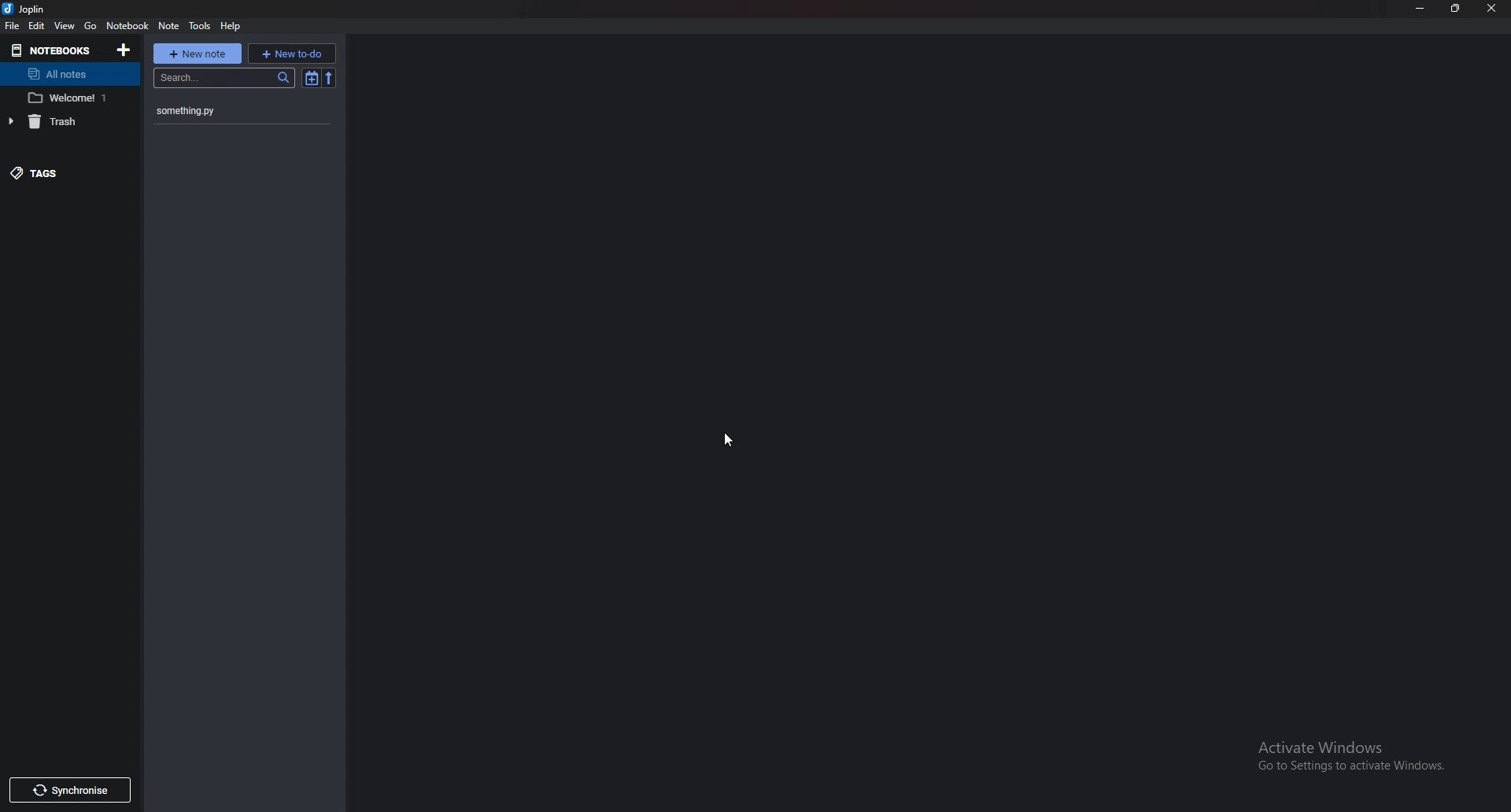 The width and height of the screenshot is (1511, 812). What do you see at coordinates (224, 109) in the screenshot?
I see `something.py` at bounding box center [224, 109].